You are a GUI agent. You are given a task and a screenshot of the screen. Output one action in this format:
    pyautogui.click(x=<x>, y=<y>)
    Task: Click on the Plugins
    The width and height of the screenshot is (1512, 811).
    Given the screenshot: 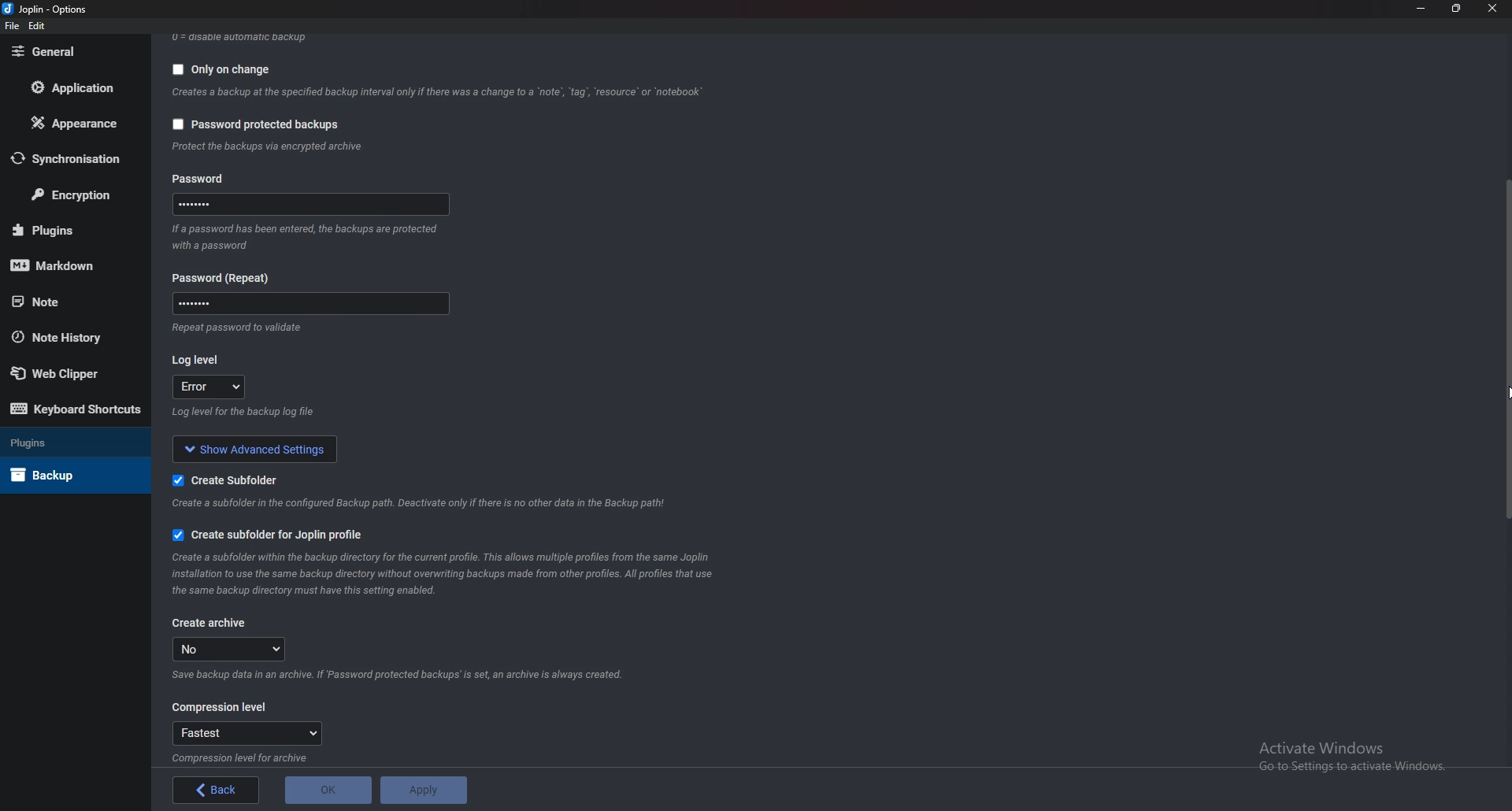 What is the action you would take?
    pyautogui.click(x=61, y=442)
    